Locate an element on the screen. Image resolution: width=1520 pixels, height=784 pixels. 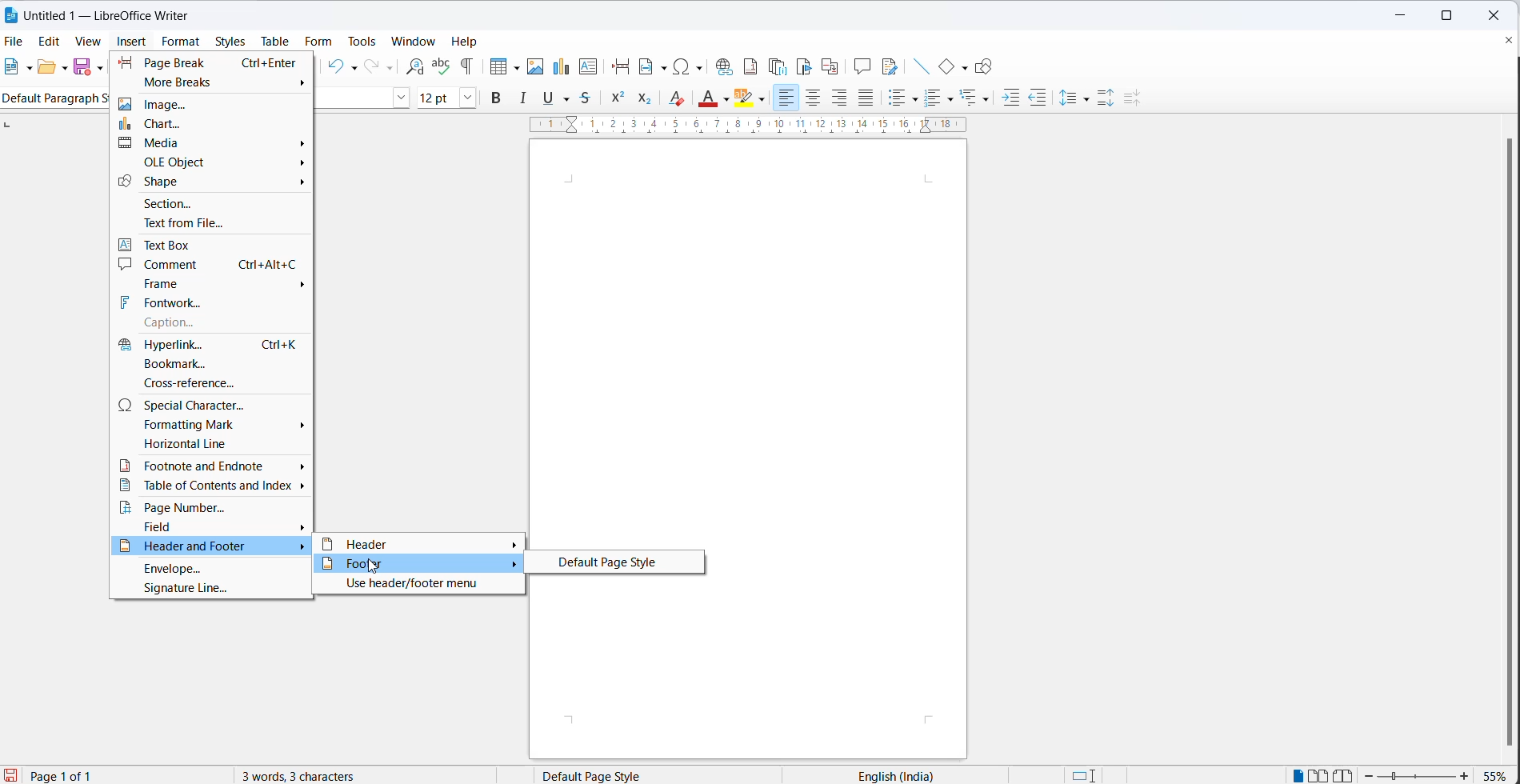
basic shapes is located at coordinates (946, 67).